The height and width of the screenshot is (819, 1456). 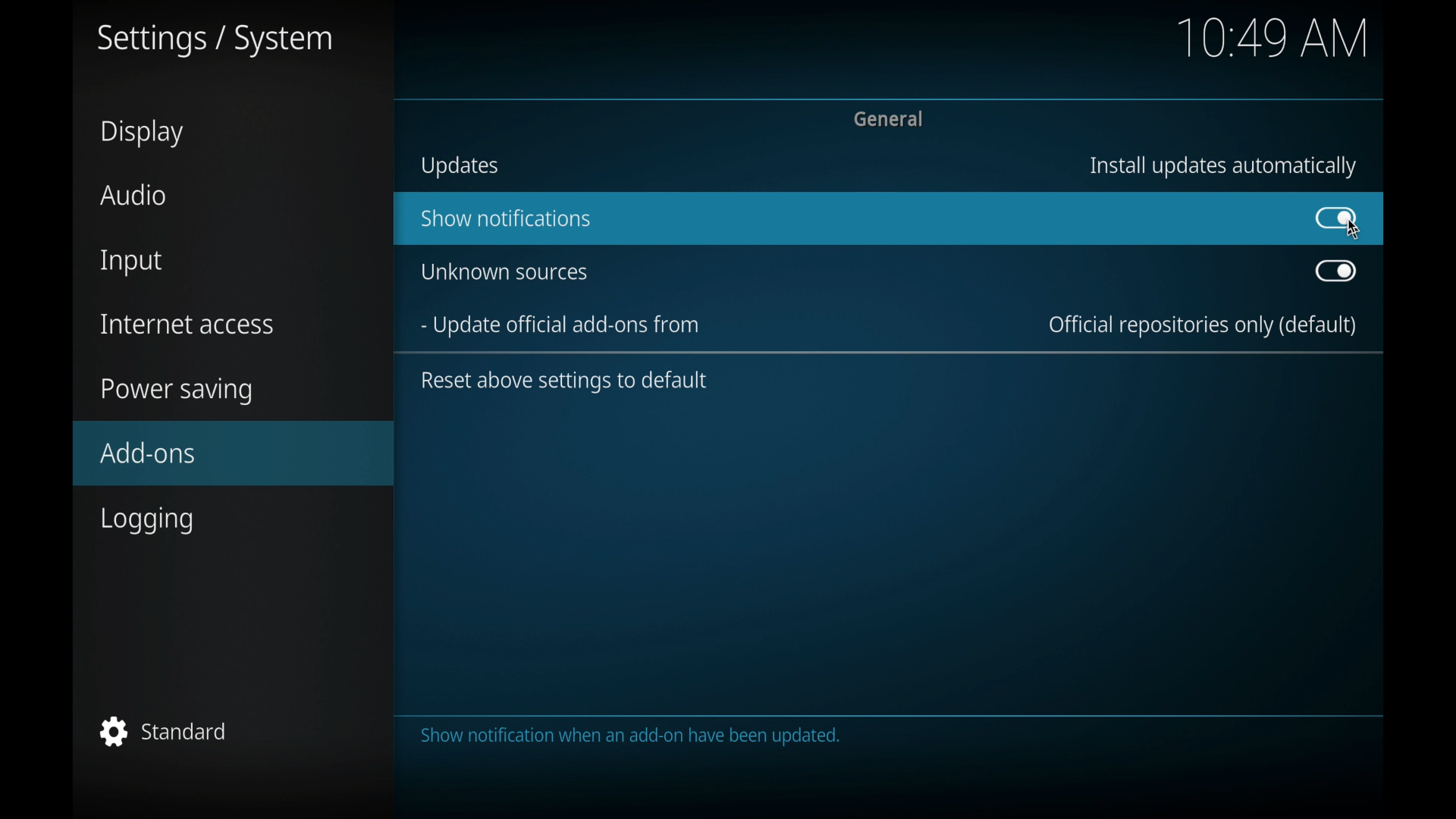 What do you see at coordinates (177, 391) in the screenshot?
I see `power saving` at bounding box center [177, 391].